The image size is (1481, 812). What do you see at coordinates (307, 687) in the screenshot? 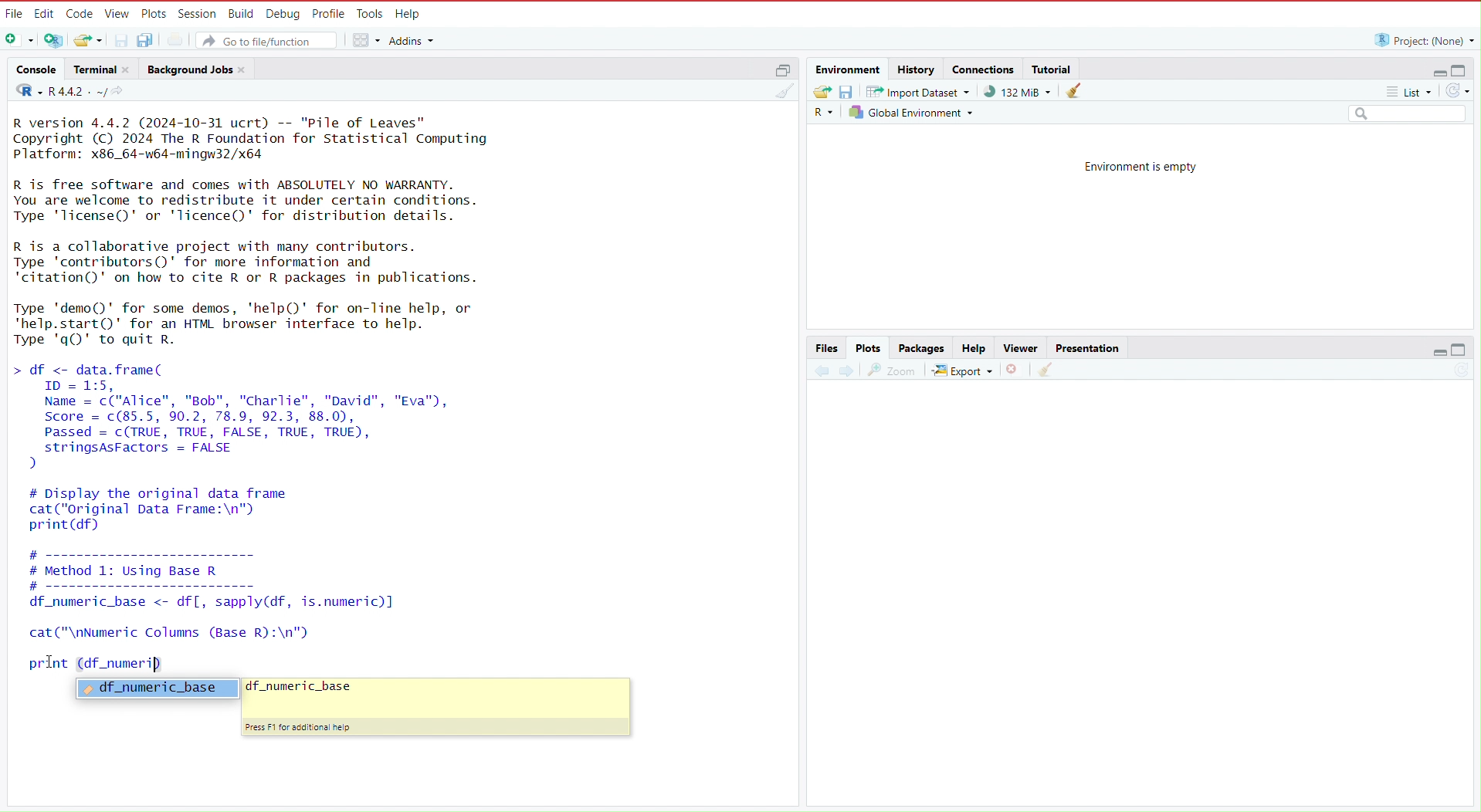
I see `df_numeric_base` at bounding box center [307, 687].